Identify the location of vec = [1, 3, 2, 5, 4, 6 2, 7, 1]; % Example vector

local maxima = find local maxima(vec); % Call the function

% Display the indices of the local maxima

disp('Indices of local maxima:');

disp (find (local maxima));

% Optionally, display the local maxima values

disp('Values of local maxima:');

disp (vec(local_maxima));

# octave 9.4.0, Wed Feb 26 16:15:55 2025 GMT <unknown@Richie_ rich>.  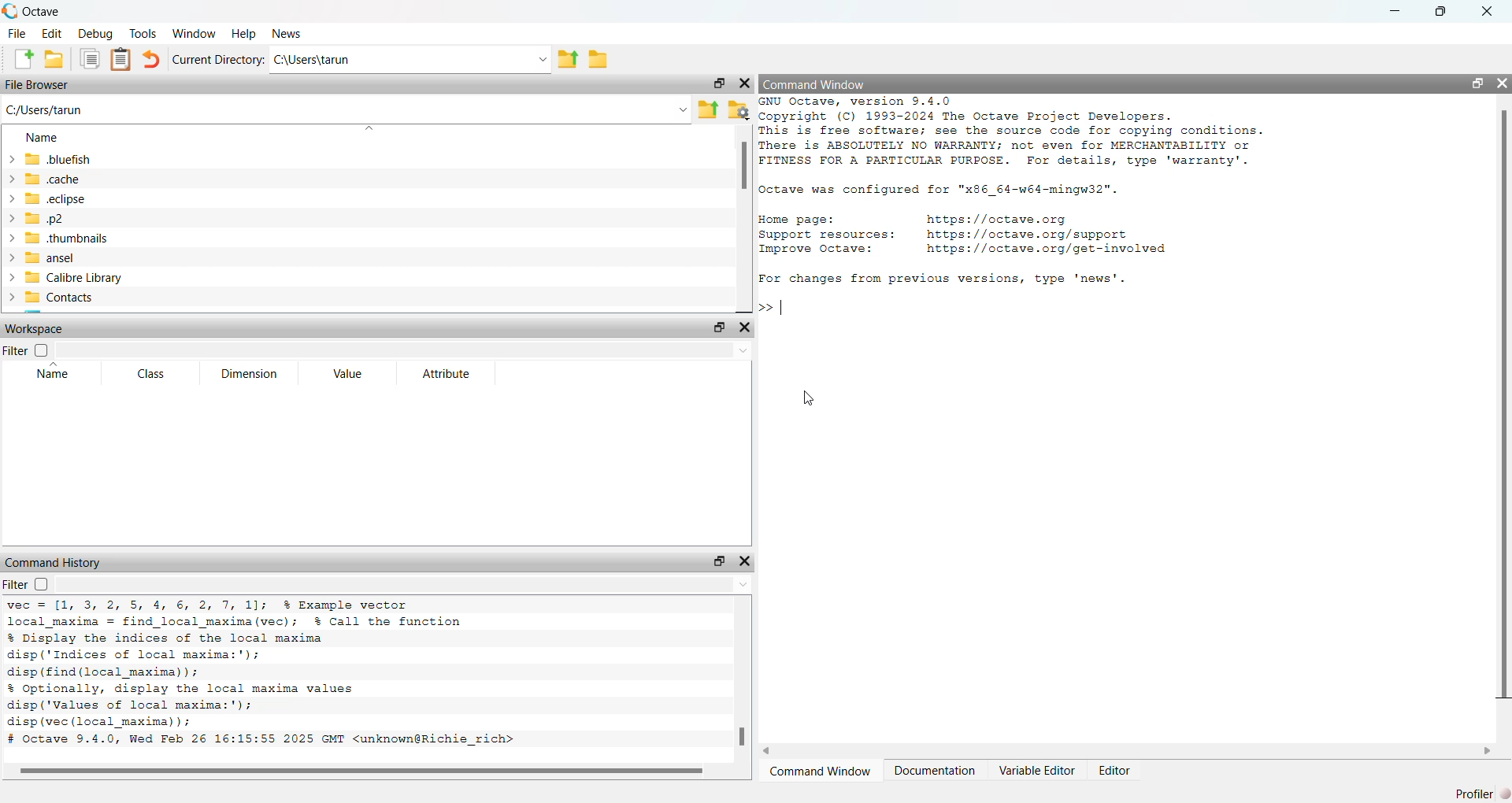
(298, 676).